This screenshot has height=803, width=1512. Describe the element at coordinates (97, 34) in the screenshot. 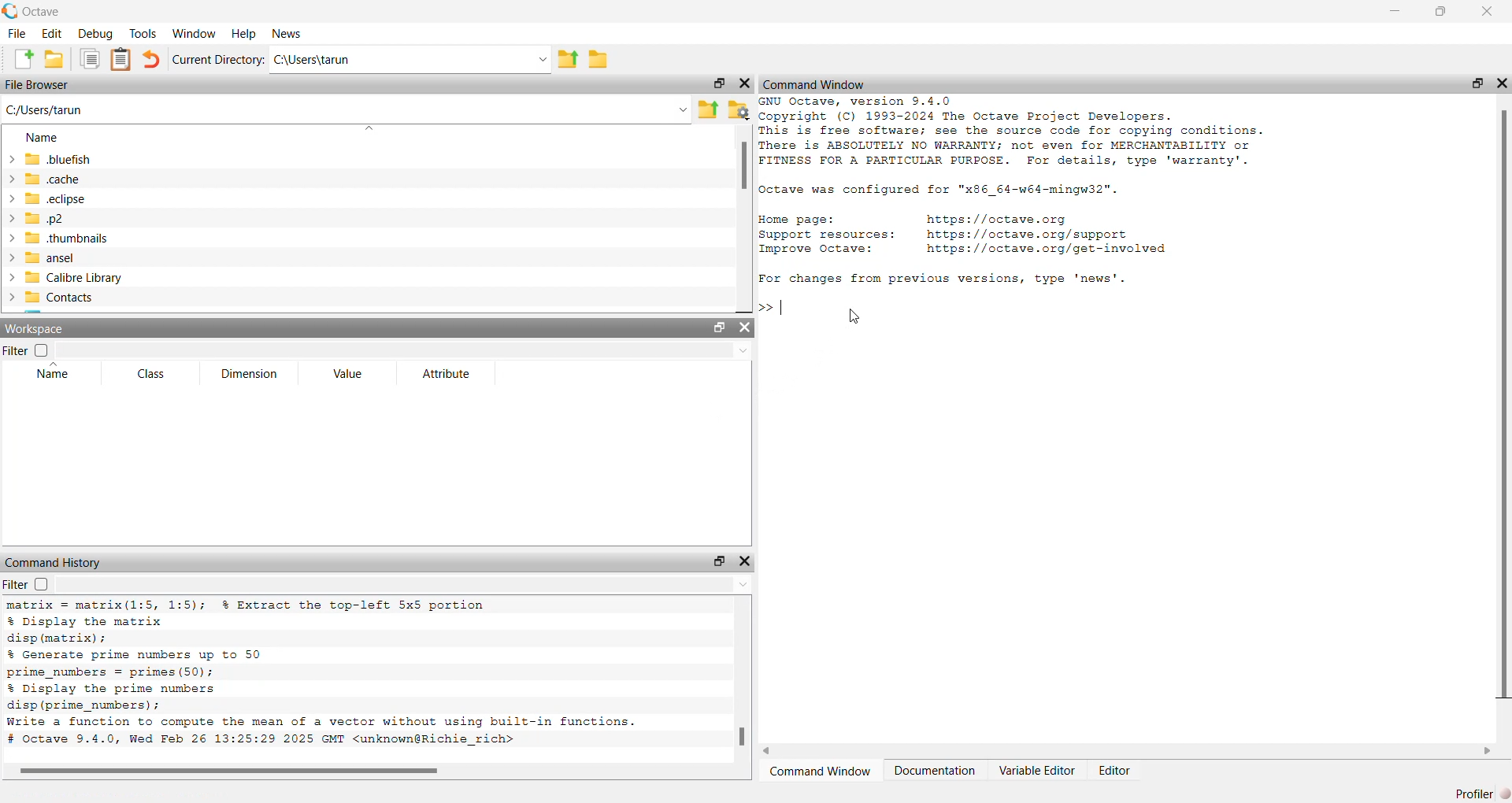

I see `debug` at that location.